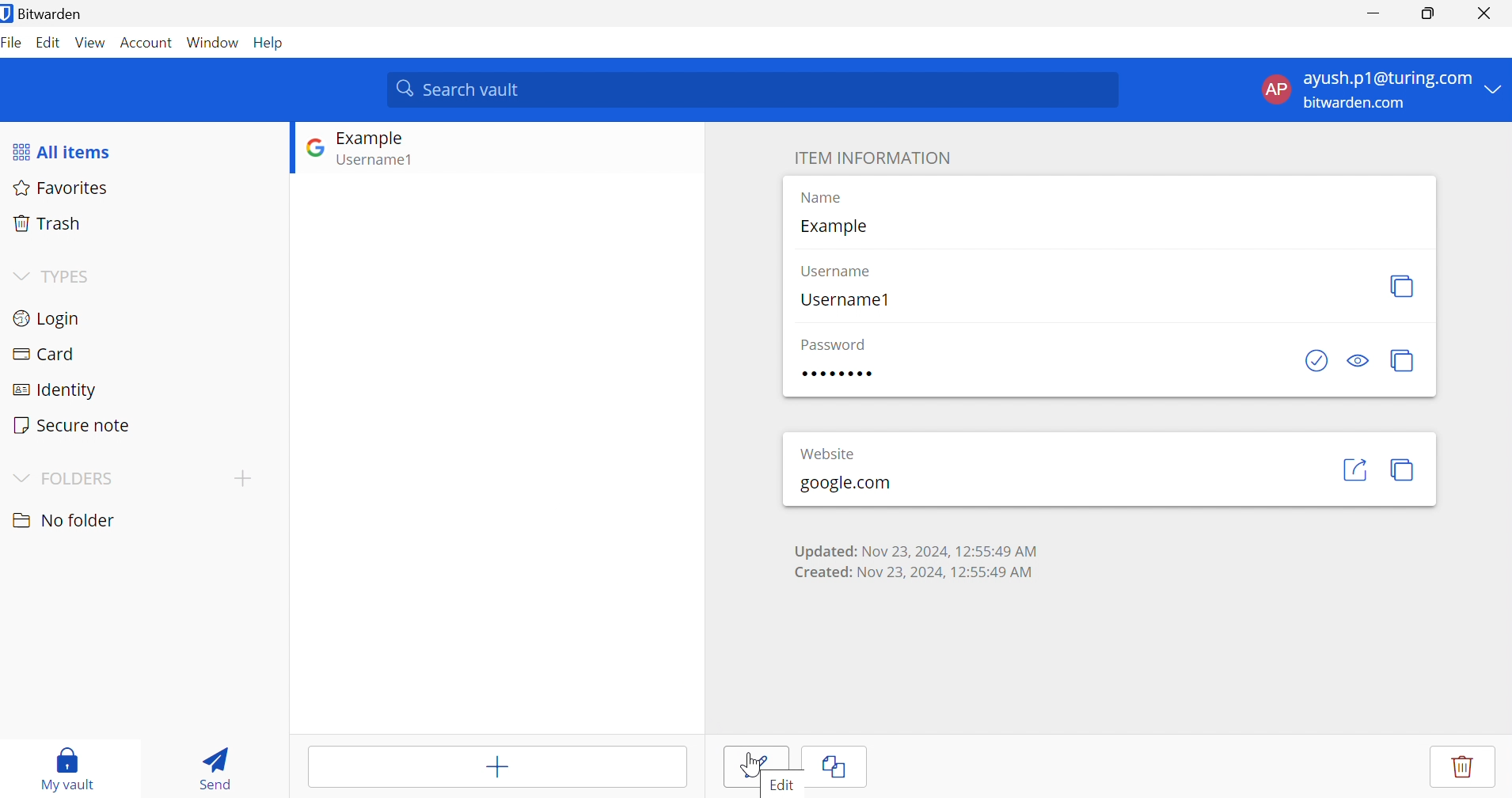 This screenshot has height=798, width=1512. What do you see at coordinates (1360, 361) in the screenshot?
I see `Toggle Visisbility` at bounding box center [1360, 361].